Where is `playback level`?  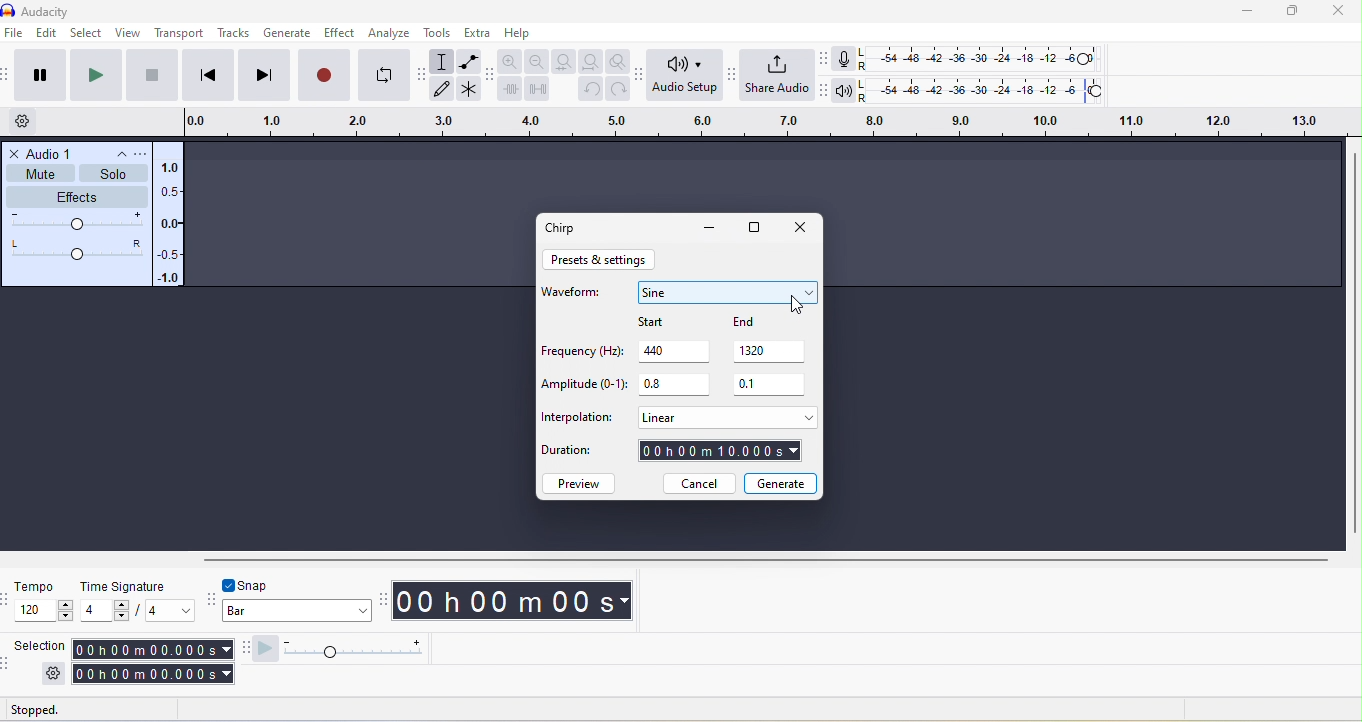 playback level is located at coordinates (985, 88).